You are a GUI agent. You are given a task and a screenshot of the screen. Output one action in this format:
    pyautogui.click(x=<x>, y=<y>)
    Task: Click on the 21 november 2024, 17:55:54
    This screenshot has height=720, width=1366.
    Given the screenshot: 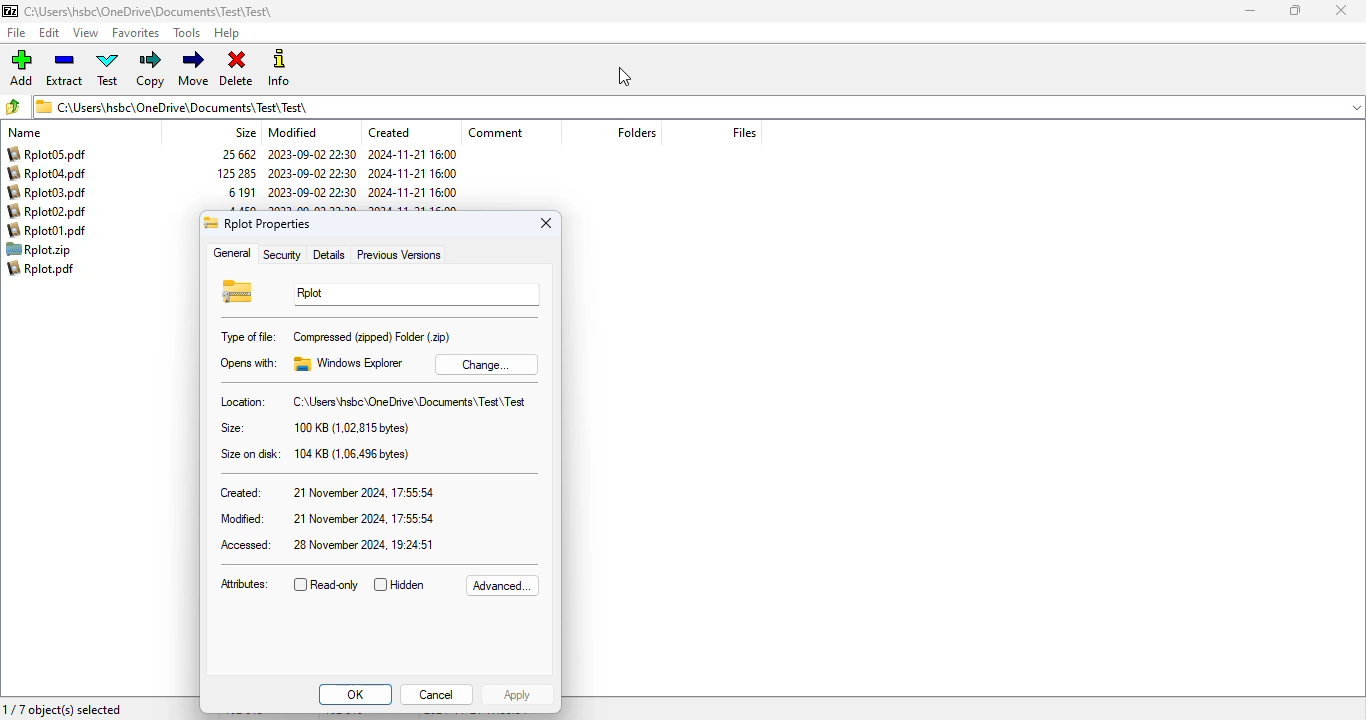 What is the action you would take?
    pyautogui.click(x=364, y=492)
    